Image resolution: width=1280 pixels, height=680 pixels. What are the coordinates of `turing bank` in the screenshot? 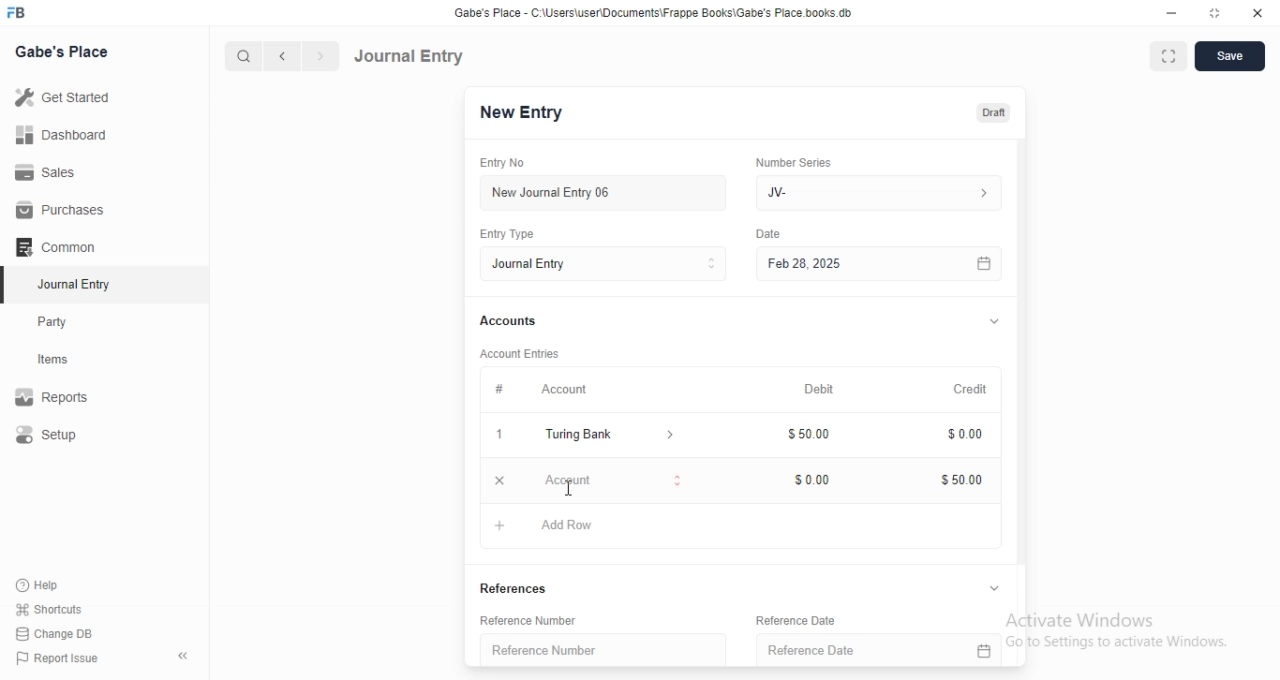 It's located at (606, 436).